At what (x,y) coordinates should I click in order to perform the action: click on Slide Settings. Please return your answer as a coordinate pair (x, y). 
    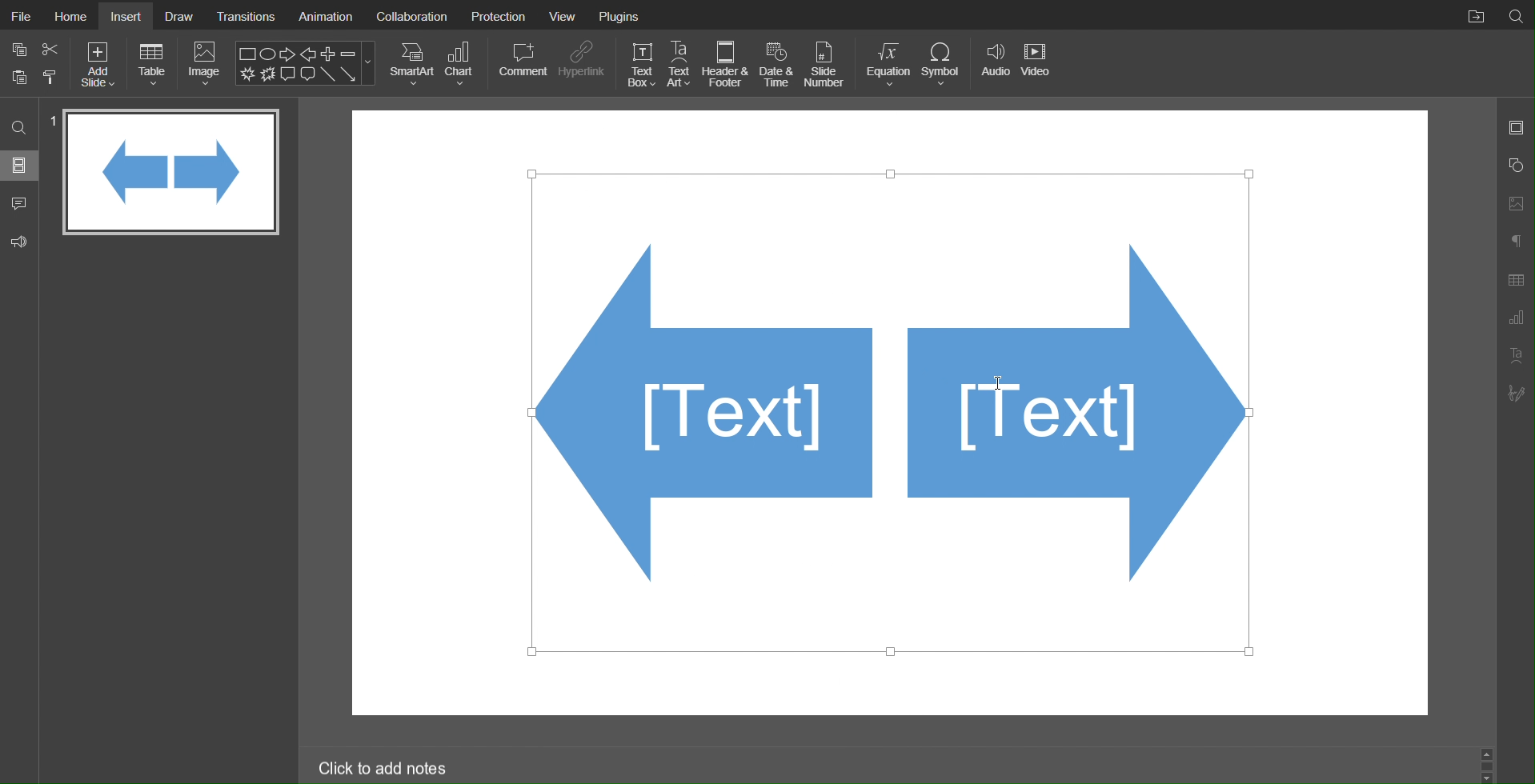
    Looking at the image, I should click on (1517, 128).